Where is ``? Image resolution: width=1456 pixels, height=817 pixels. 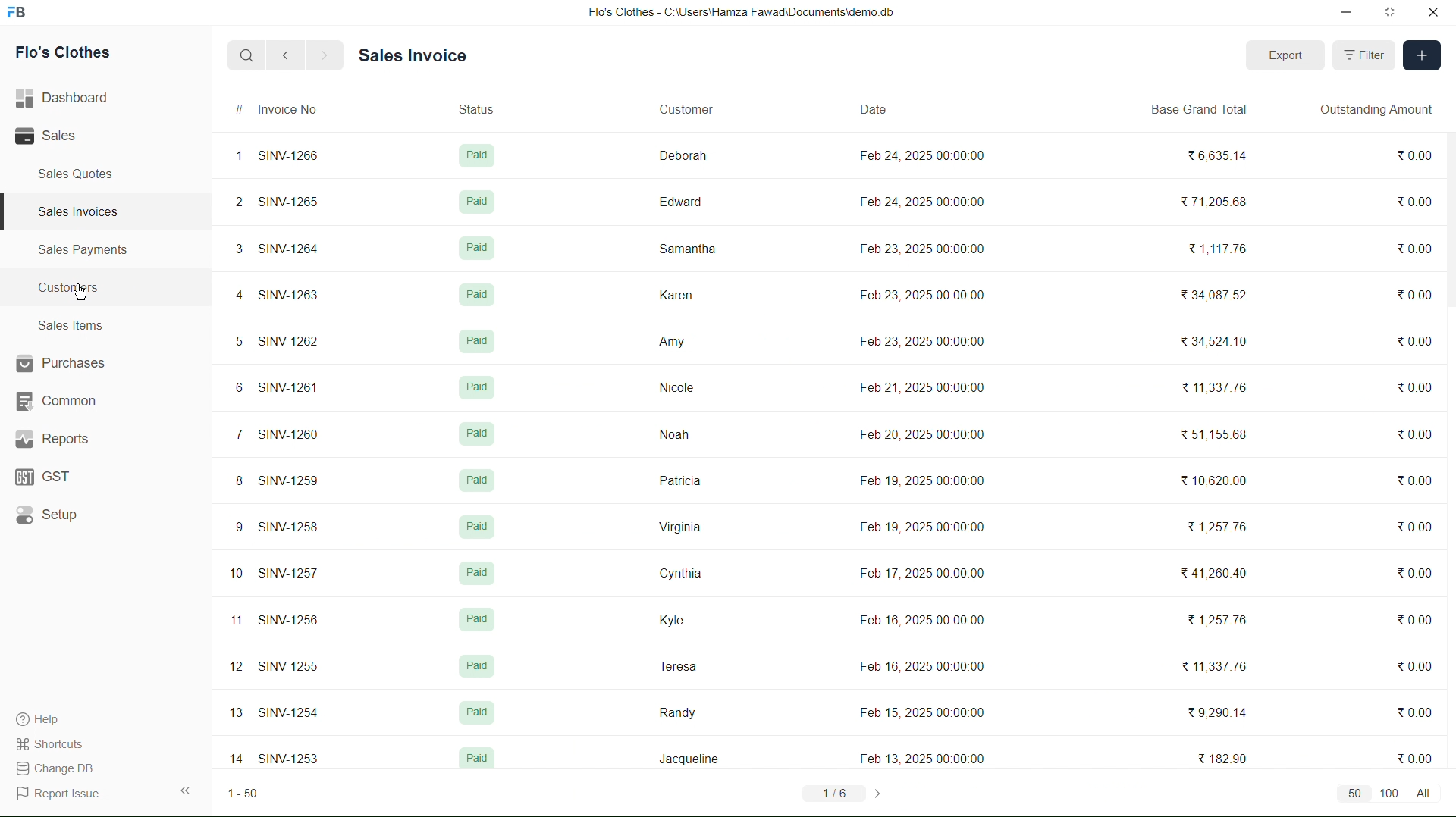  is located at coordinates (479, 760).